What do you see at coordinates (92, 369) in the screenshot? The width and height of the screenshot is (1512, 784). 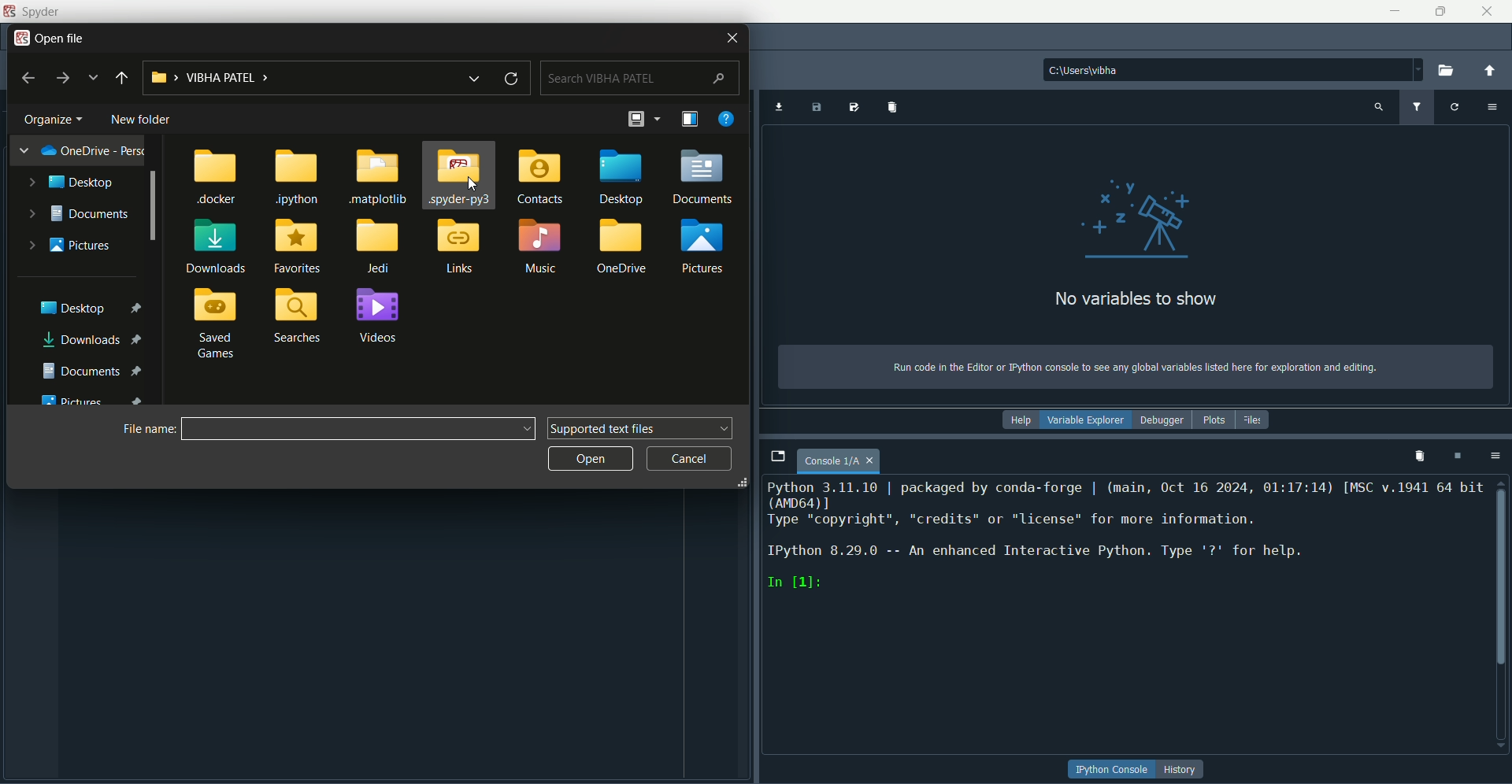 I see `documents` at bounding box center [92, 369].